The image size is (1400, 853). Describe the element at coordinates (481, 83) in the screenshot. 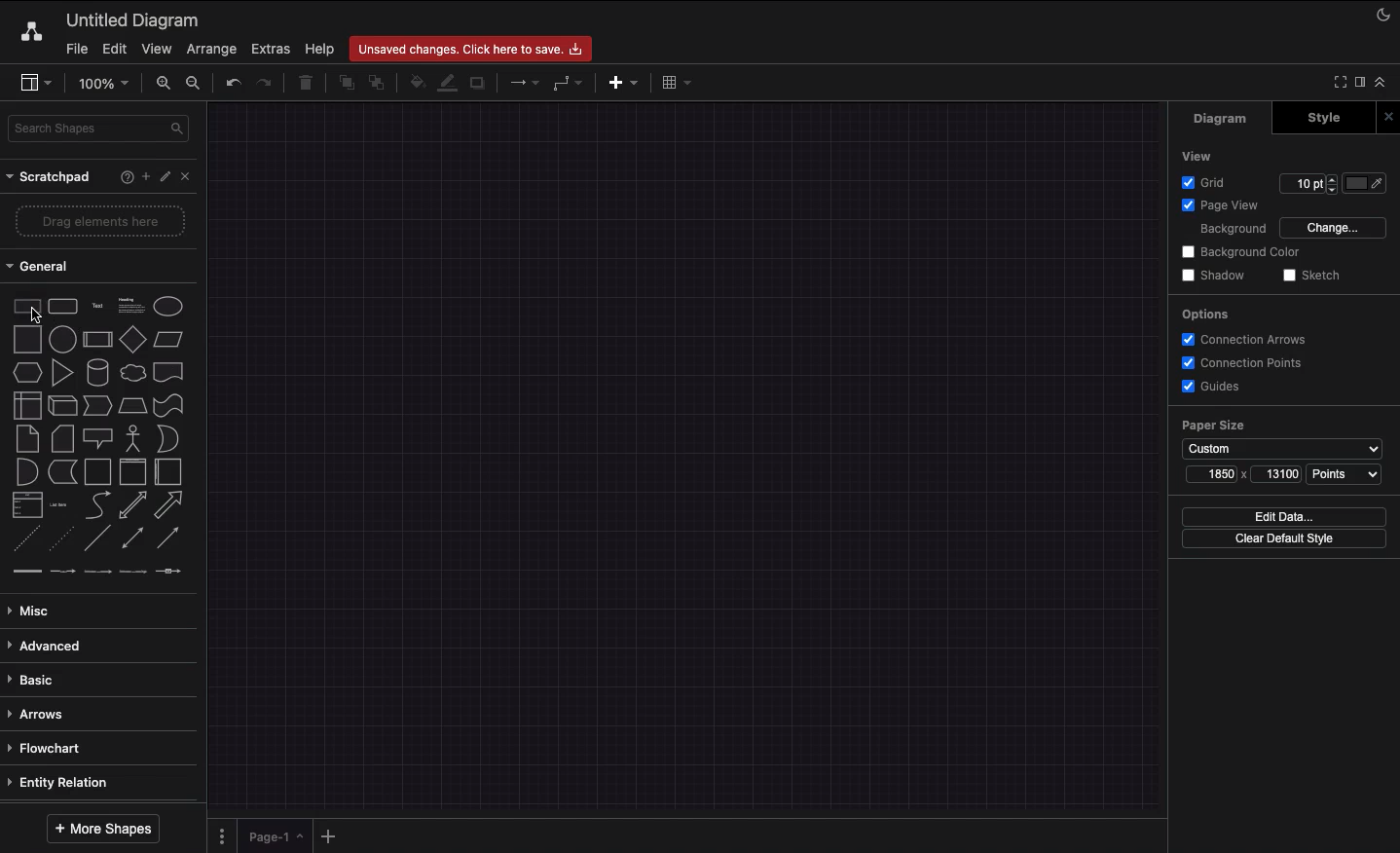

I see `Shadow` at that location.